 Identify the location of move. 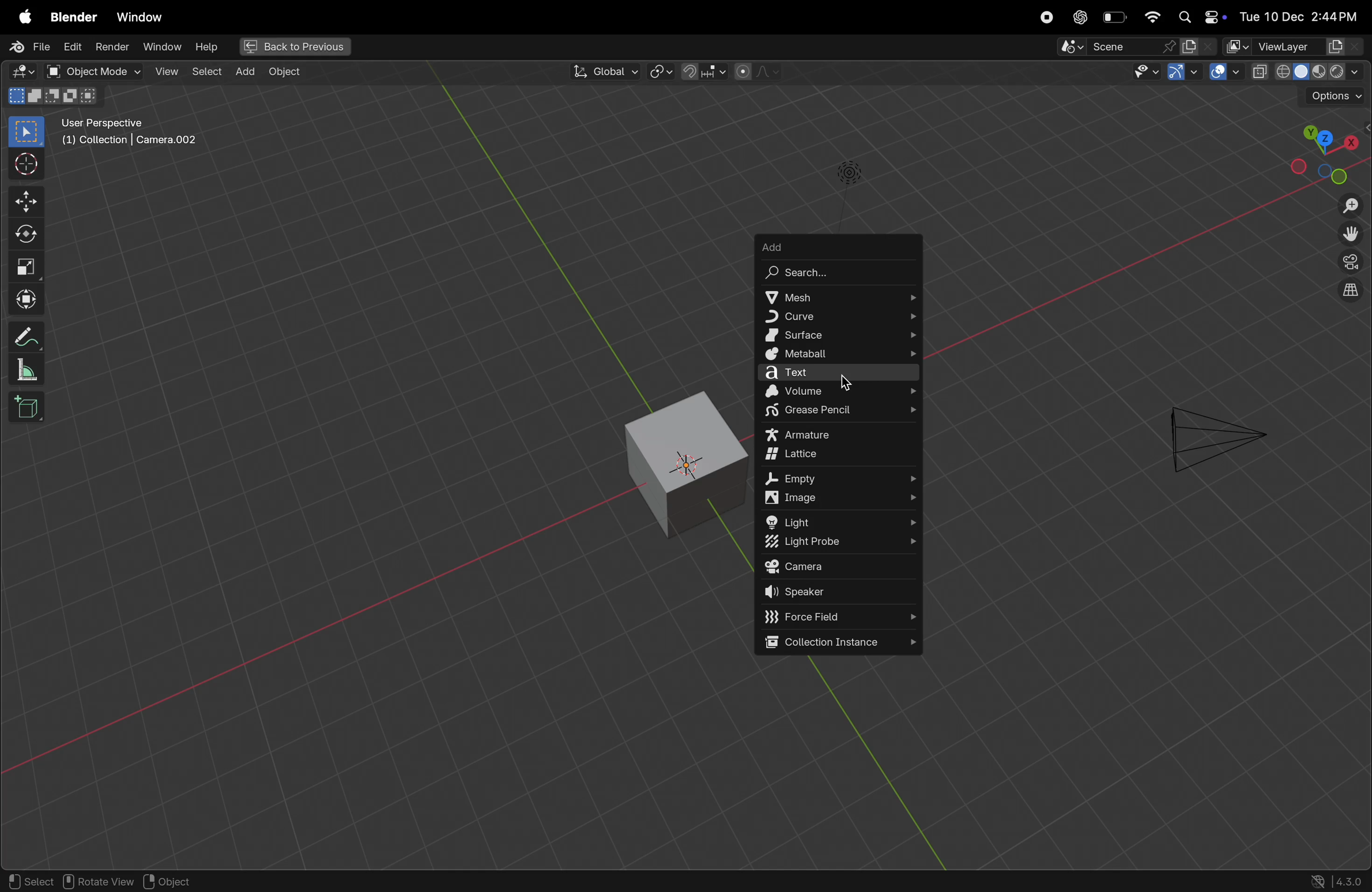
(22, 199).